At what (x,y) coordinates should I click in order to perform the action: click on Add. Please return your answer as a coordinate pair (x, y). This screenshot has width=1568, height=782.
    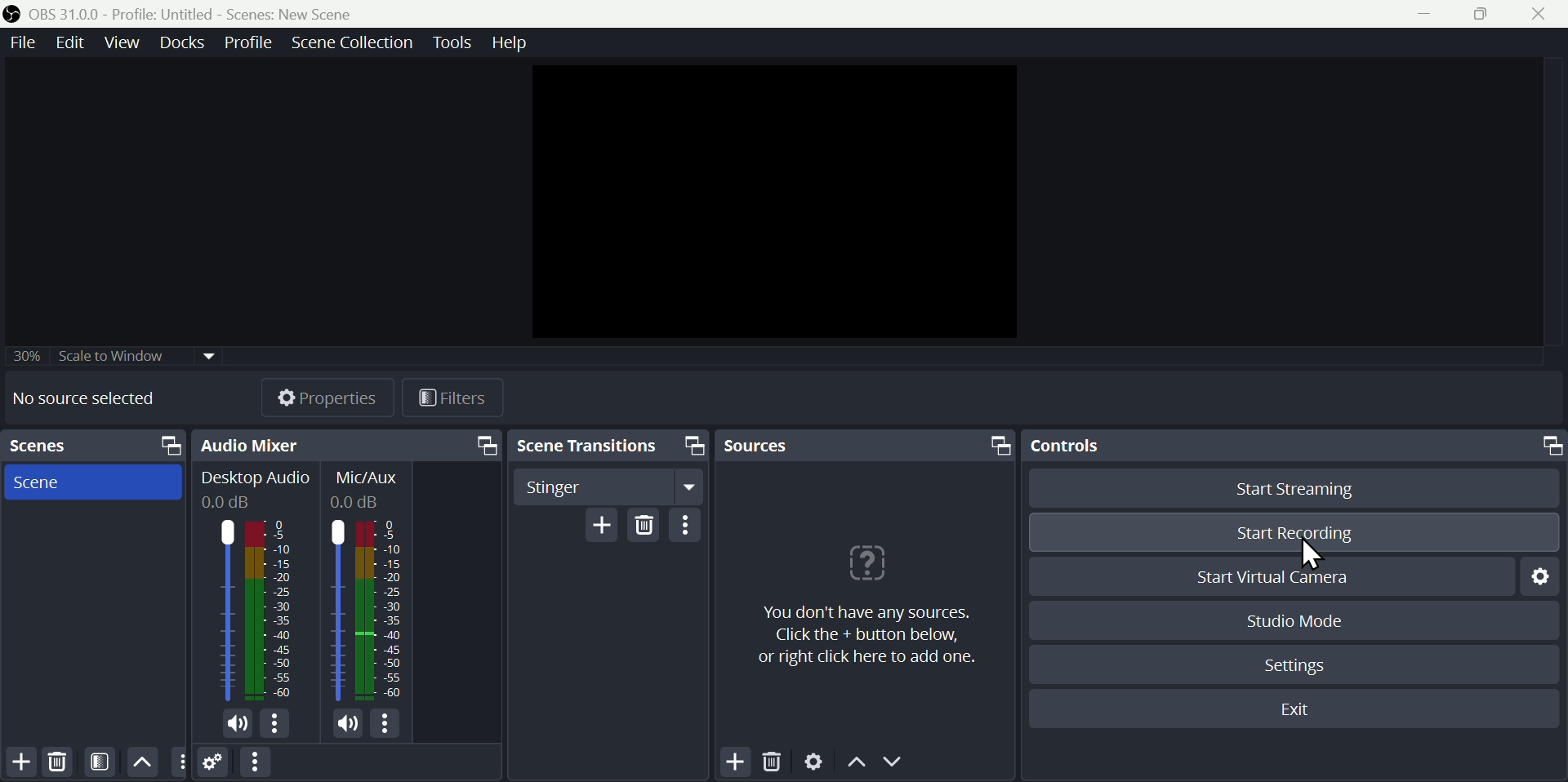
    Looking at the image, I should click on (735, 763).